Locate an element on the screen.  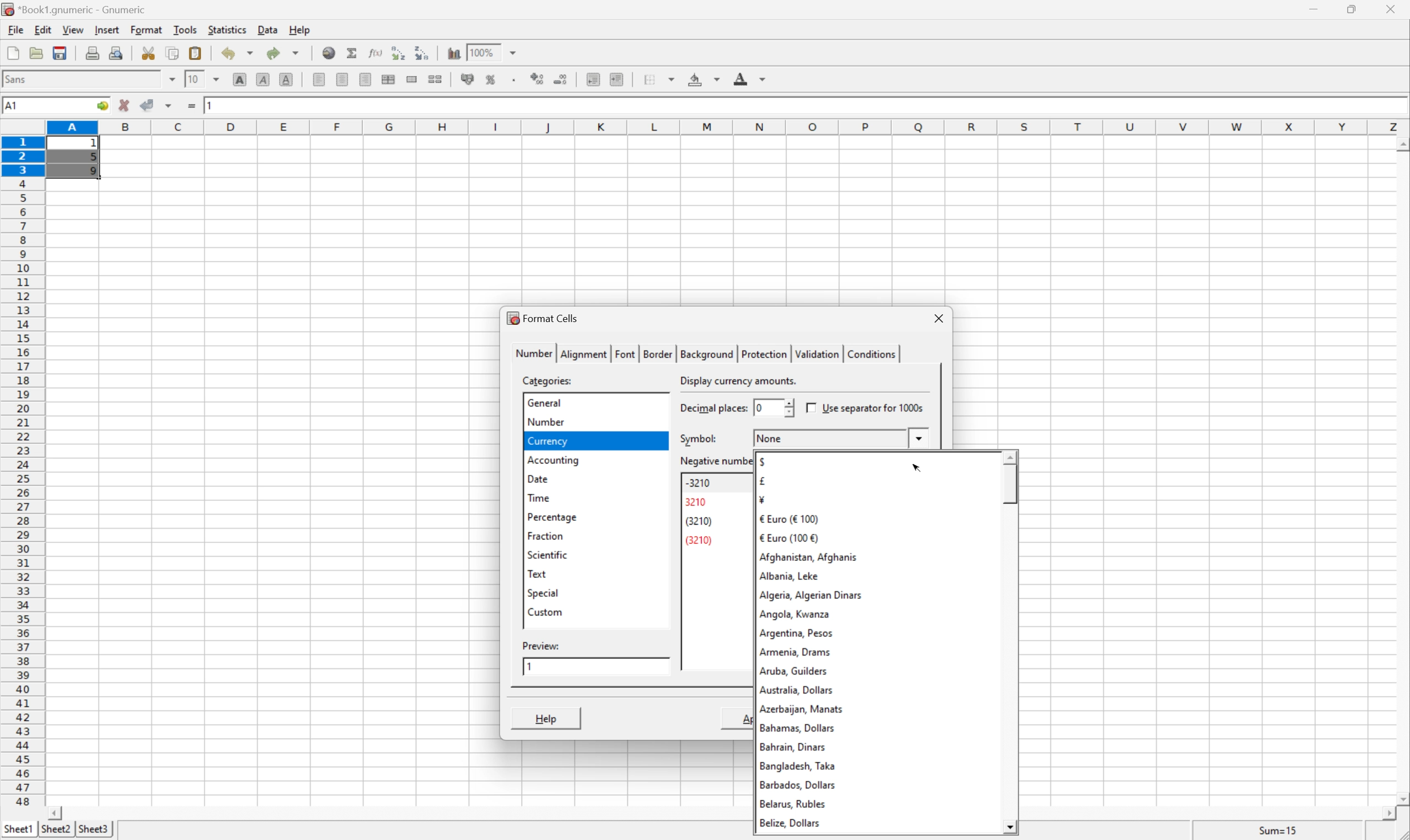
split merged ranges of cells is located at coordinates (437, 78).